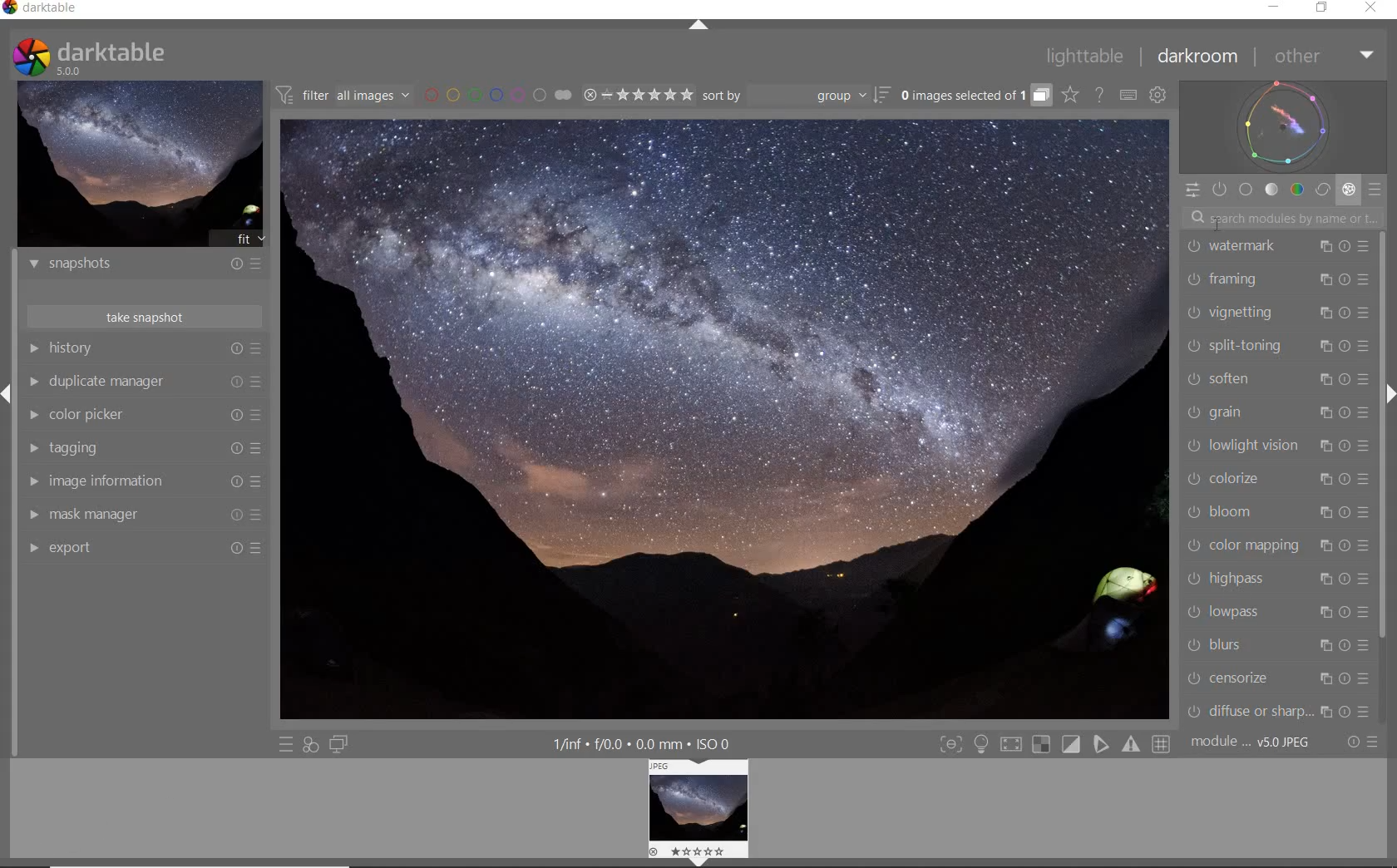 Image resolution: width=1397 pixels, height=868 pixels. Describe the element at coordinates (343, 95) in the screenshot. I see `FILTER IMAGES BASED ON THEIR MODULE ORDER` at that location.